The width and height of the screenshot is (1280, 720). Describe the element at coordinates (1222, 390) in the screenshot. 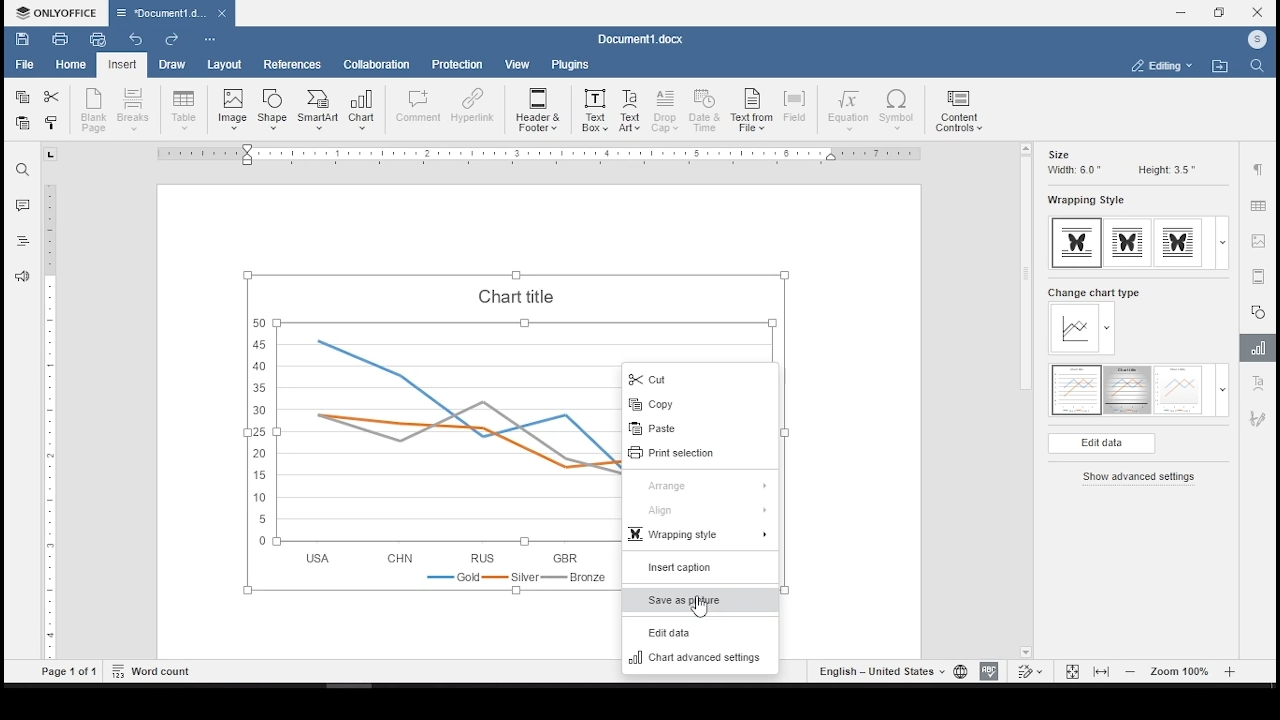

I see `expand` at that location.